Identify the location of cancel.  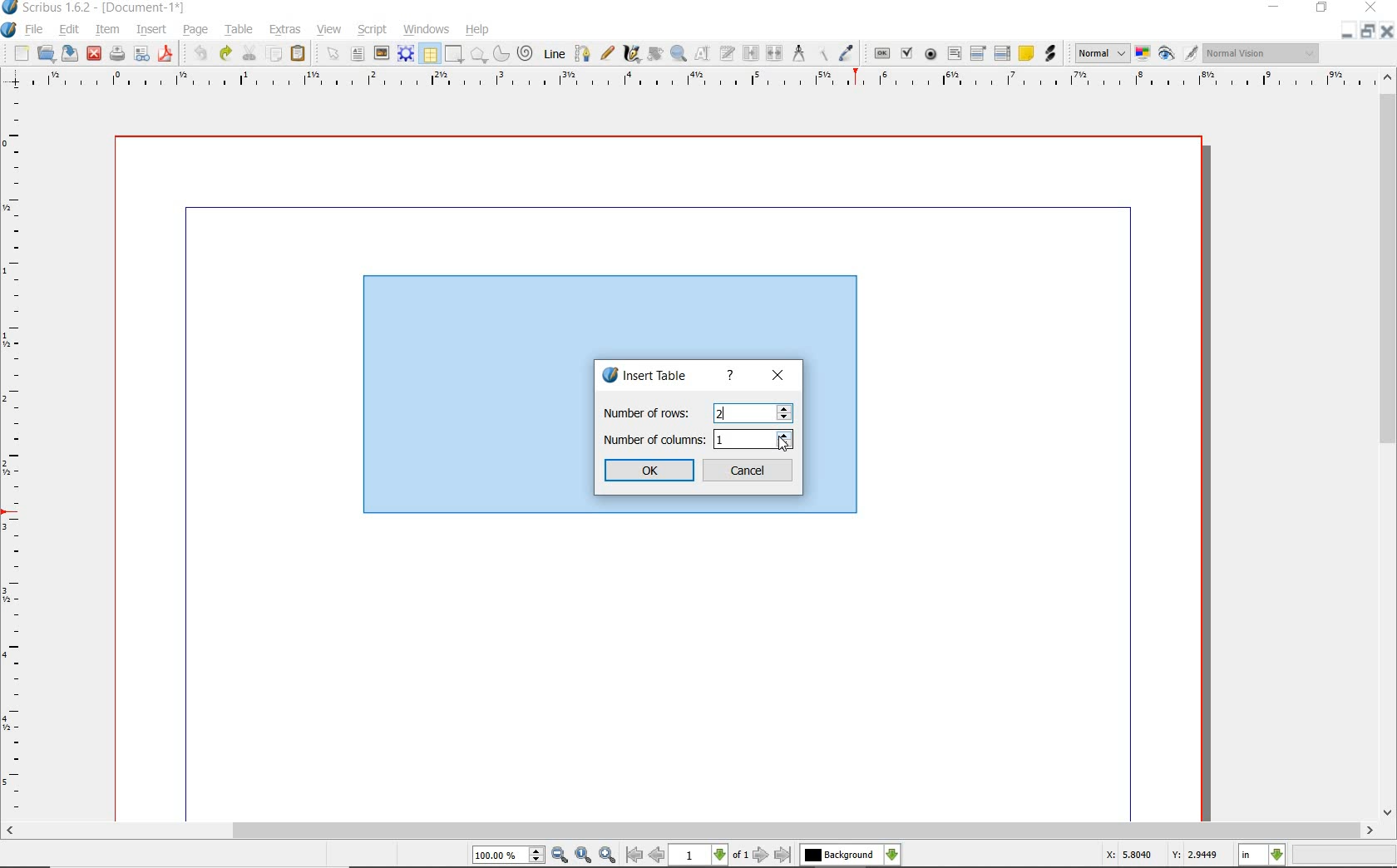
(749, 471).